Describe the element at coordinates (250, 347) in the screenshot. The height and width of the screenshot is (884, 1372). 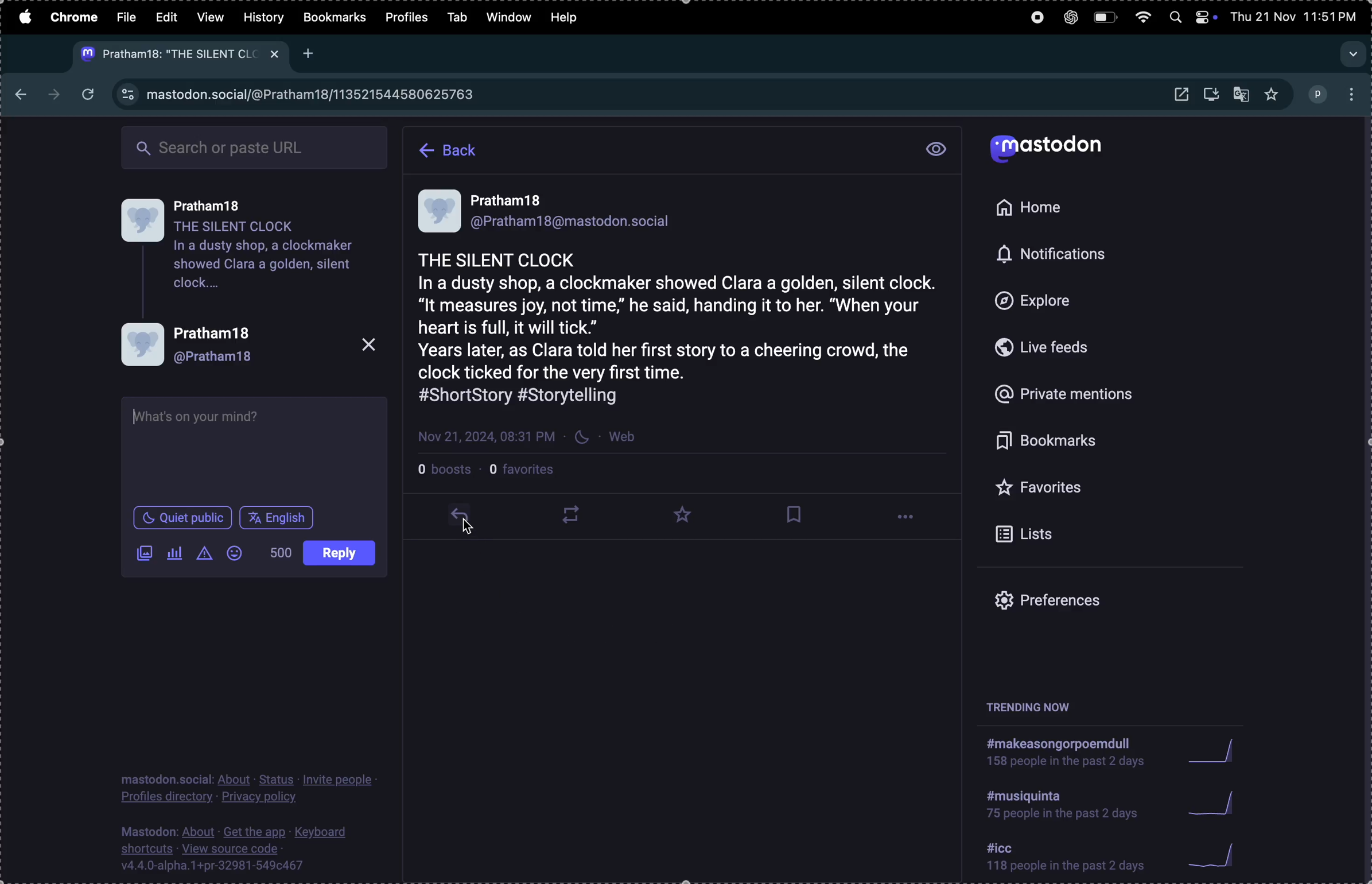
I see `profile` at that location.